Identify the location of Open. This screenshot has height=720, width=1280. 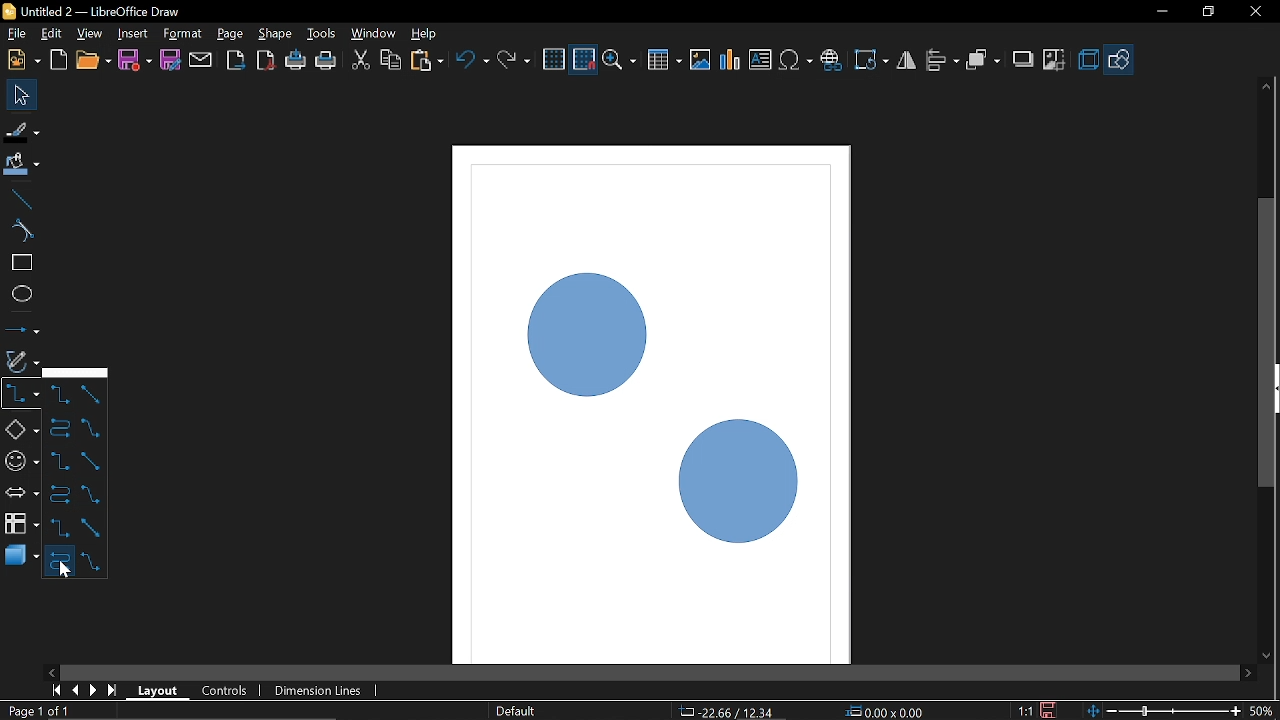
(93, 60).